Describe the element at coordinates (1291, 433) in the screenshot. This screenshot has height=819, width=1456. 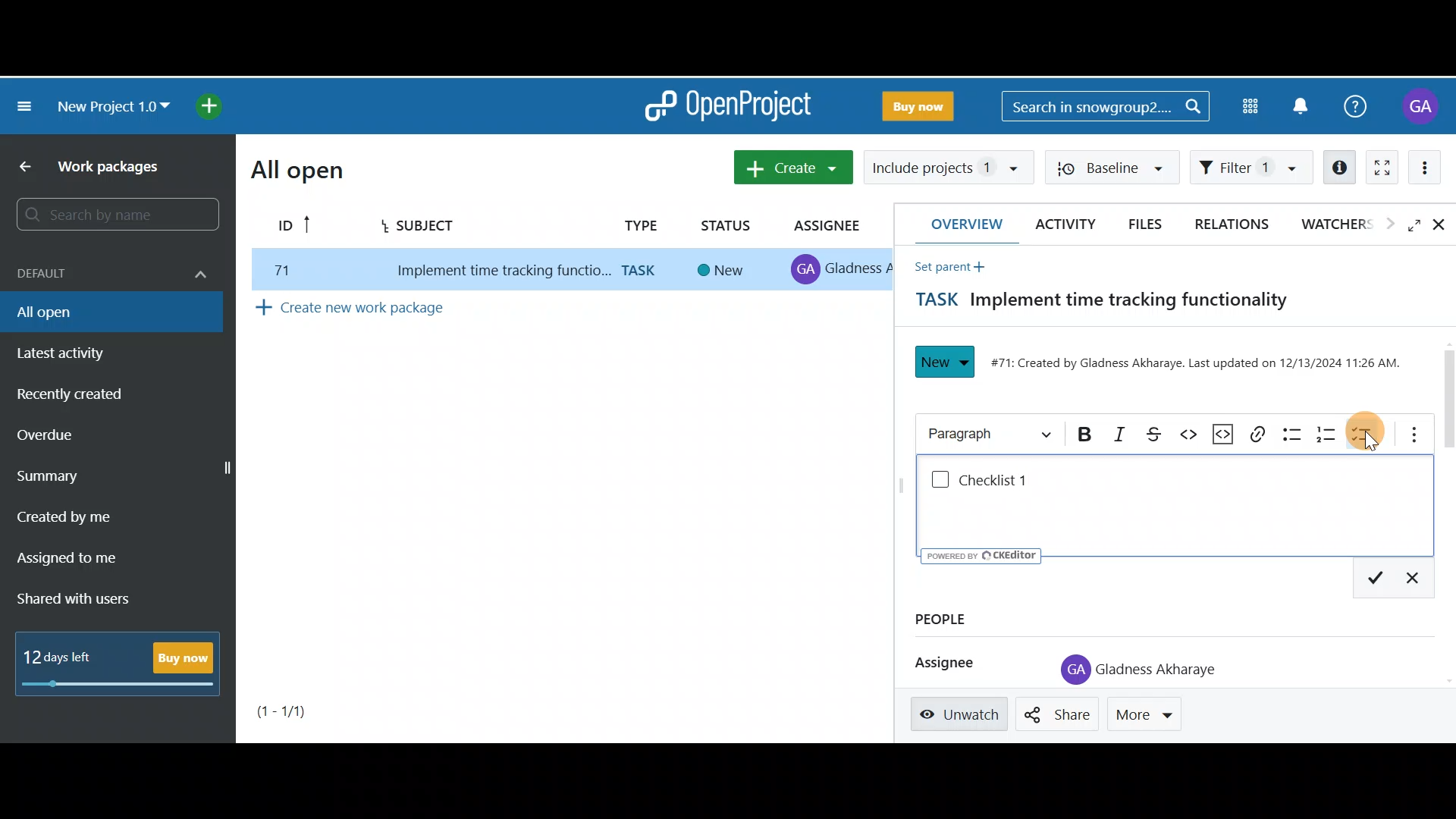
I see `Bulleted list` at that location.